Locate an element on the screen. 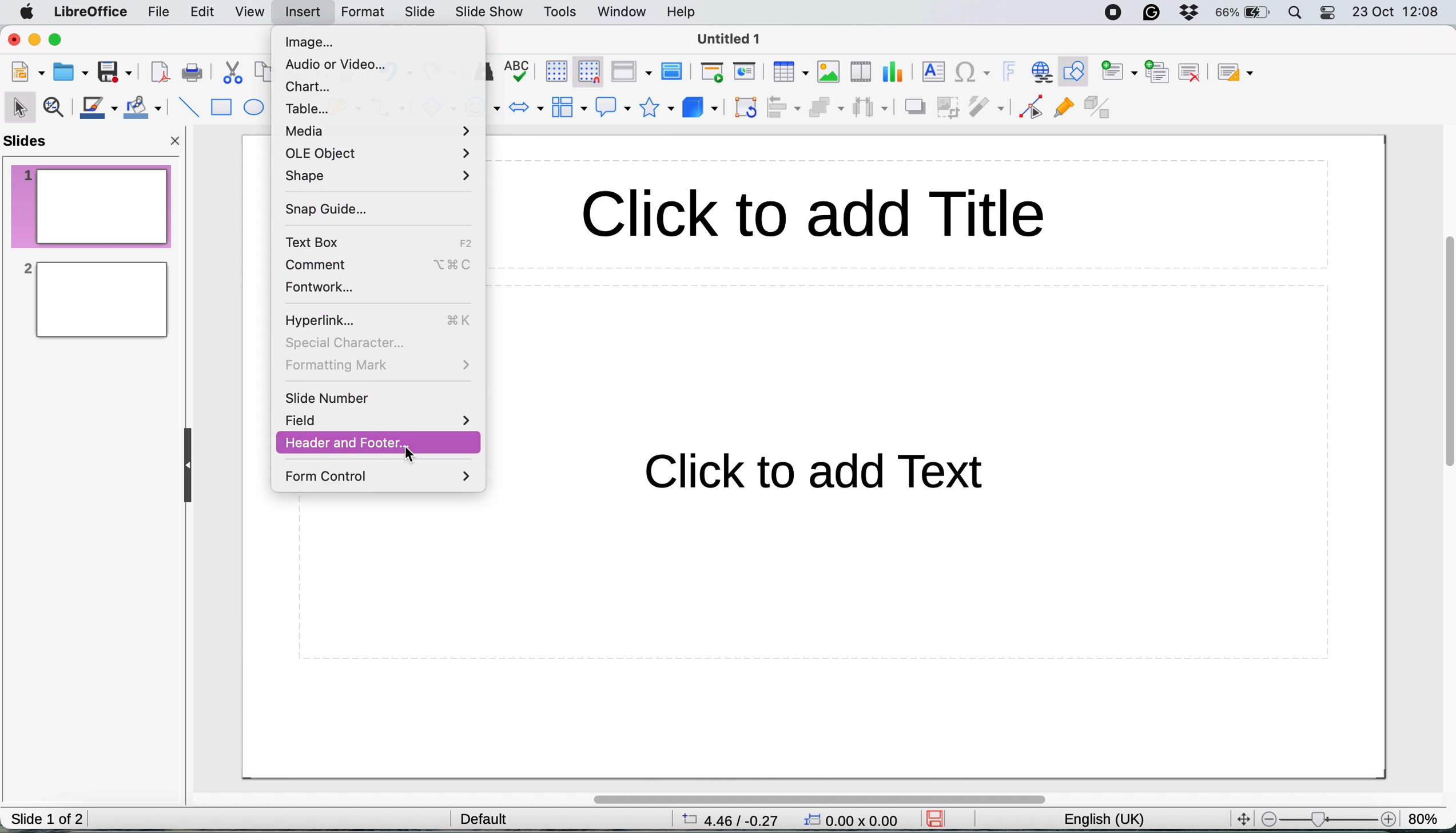 The image size is (1456, 833). insert line is located at coordinates (188, 106).